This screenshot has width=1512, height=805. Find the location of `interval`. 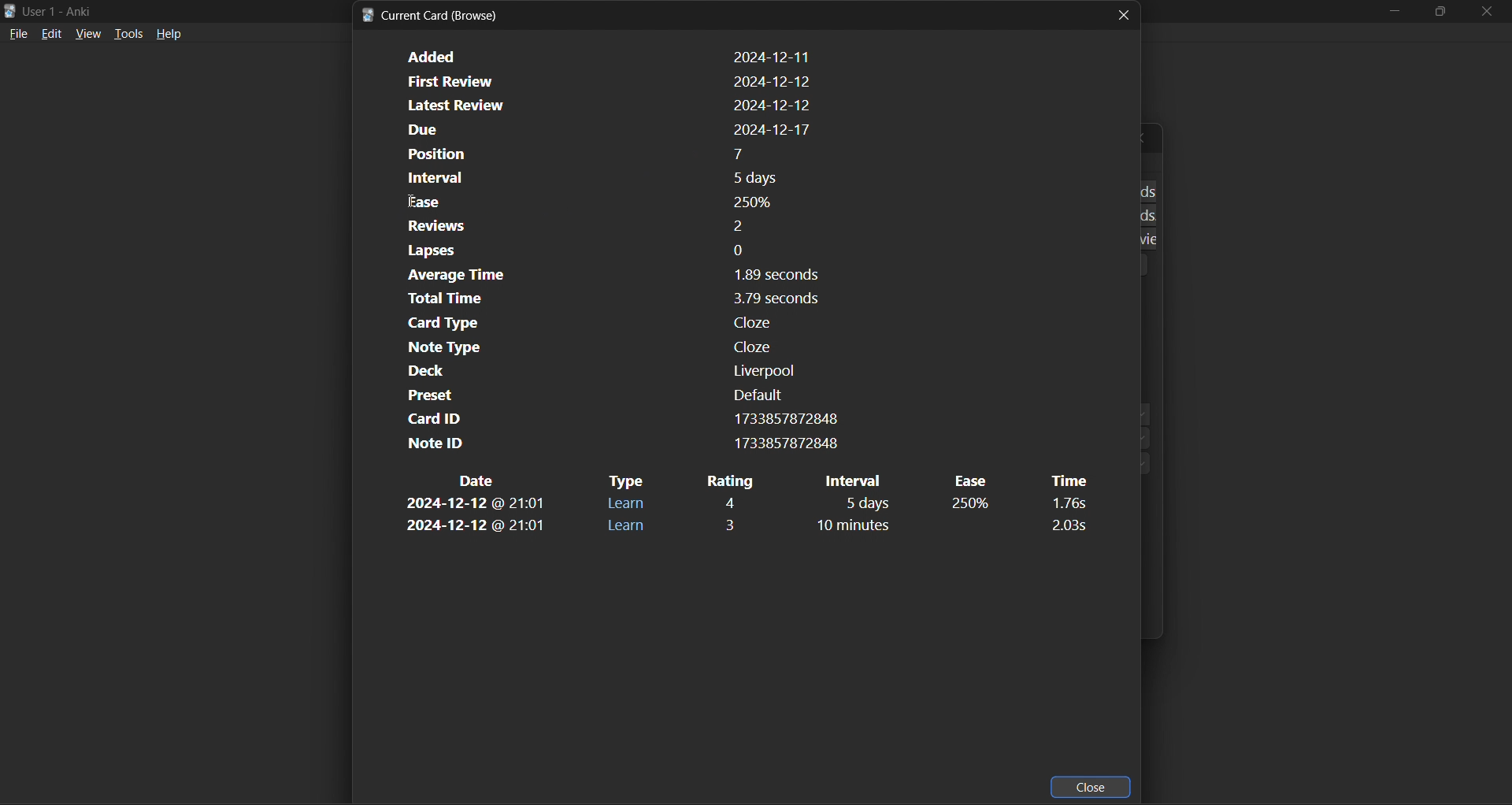

interval is located at coordinates (866, 503).